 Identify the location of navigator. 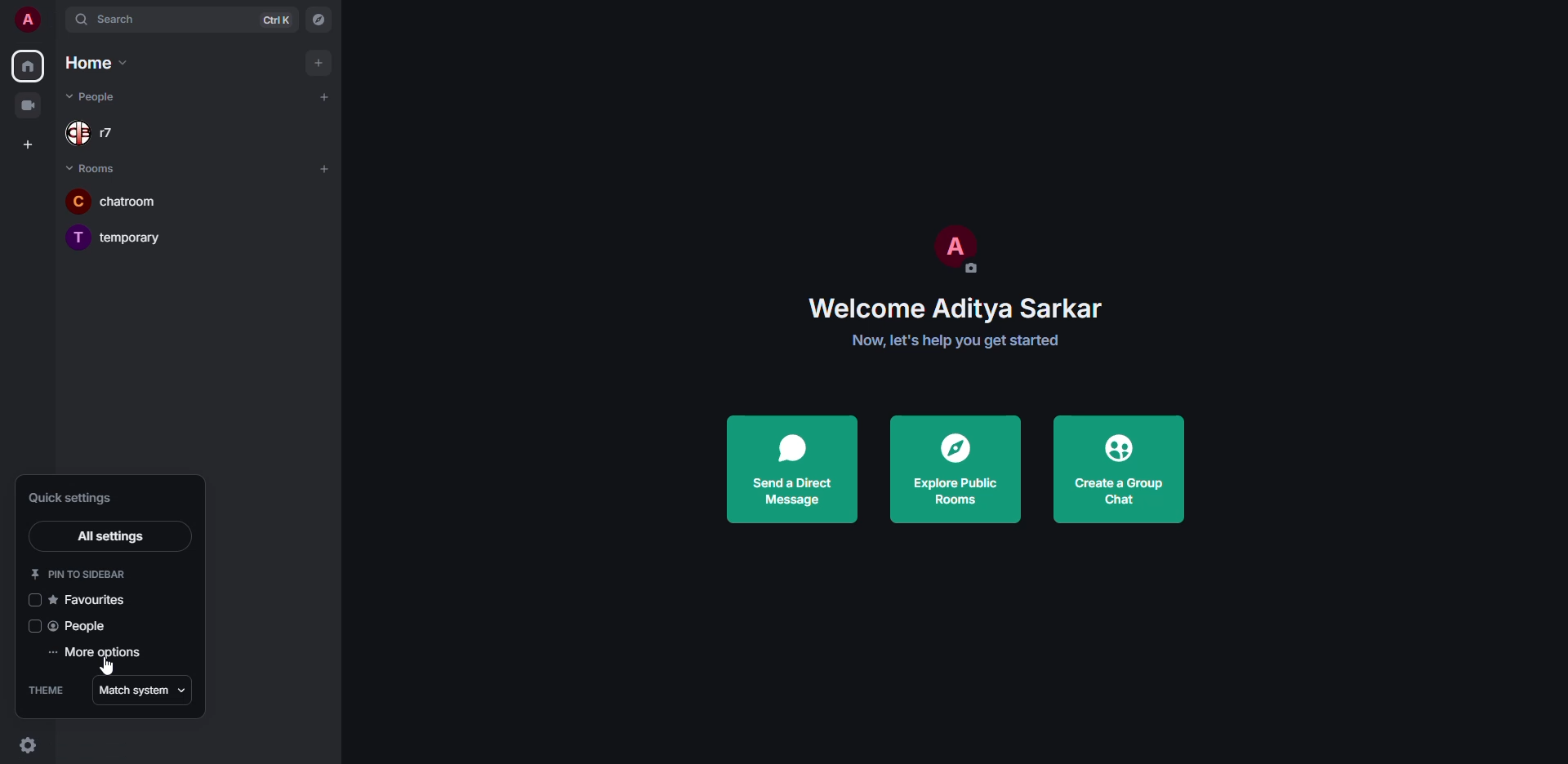
(315, 19).